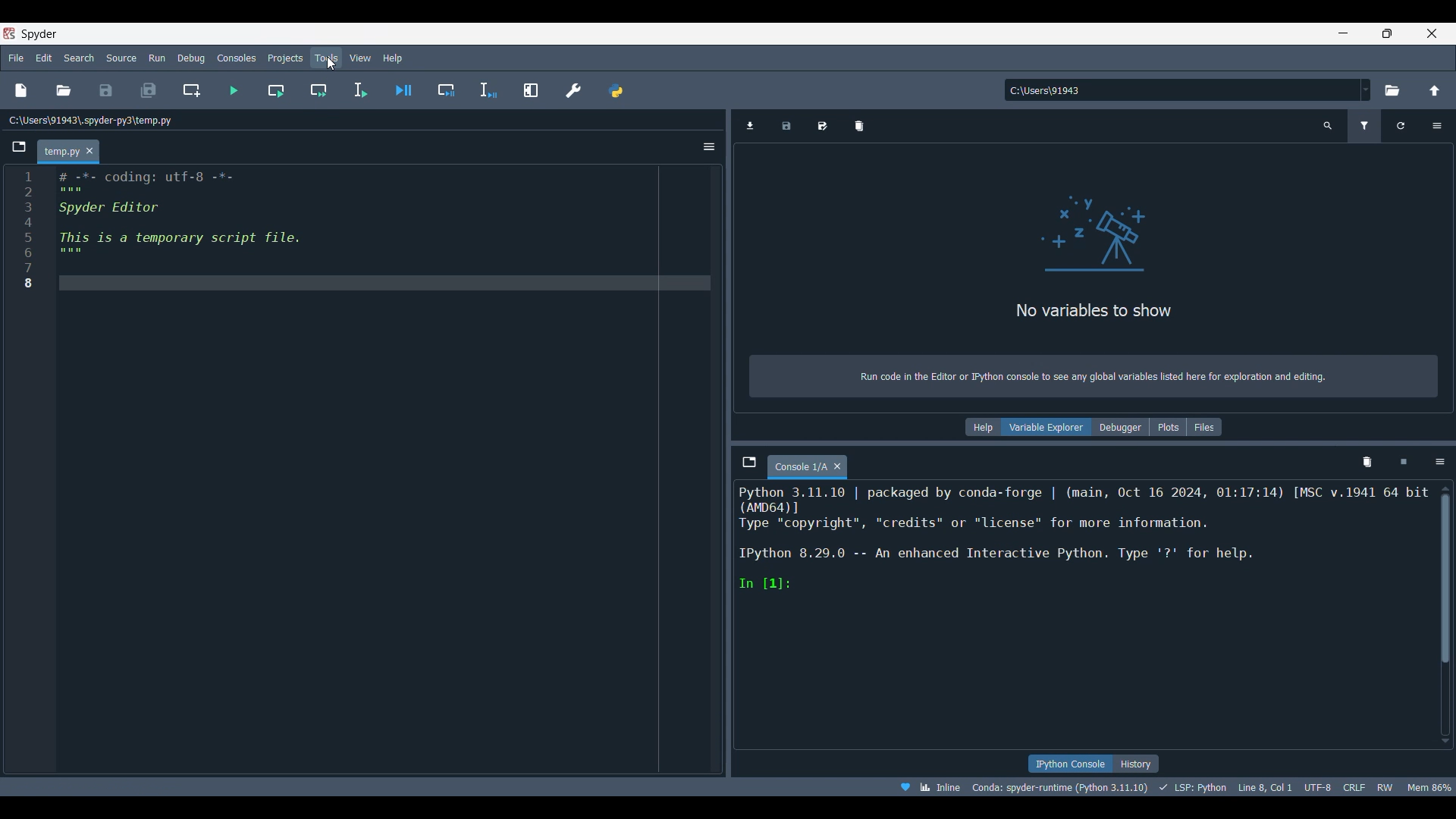 This screenshot has height=819, width=1456. What do you see at coordinates (359, 90) in the screenshot?
I see `Run selection or current line` at bounding box center [359, 90].